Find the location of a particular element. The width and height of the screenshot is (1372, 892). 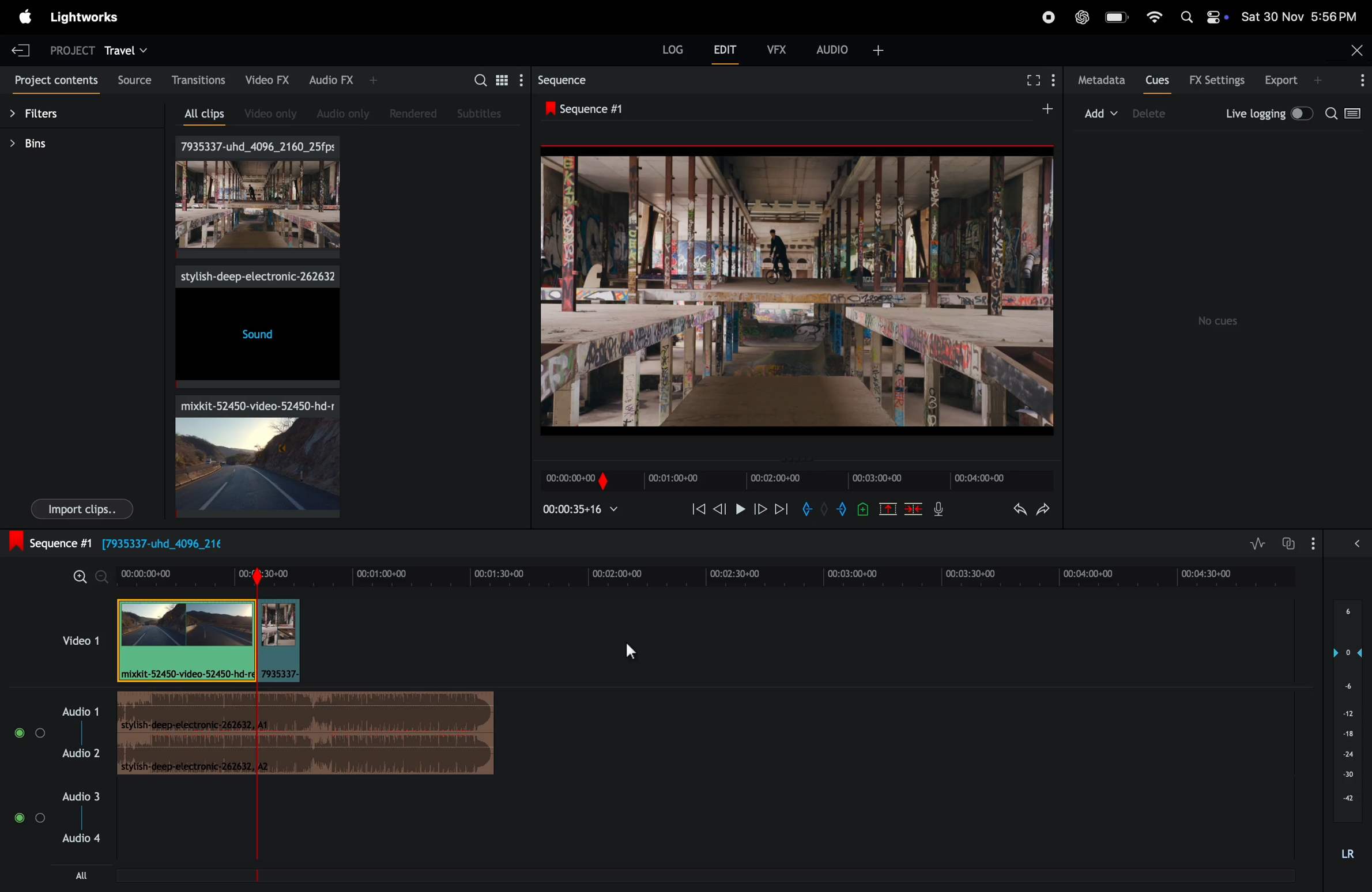

undo is located at coordinates (1012, 511).